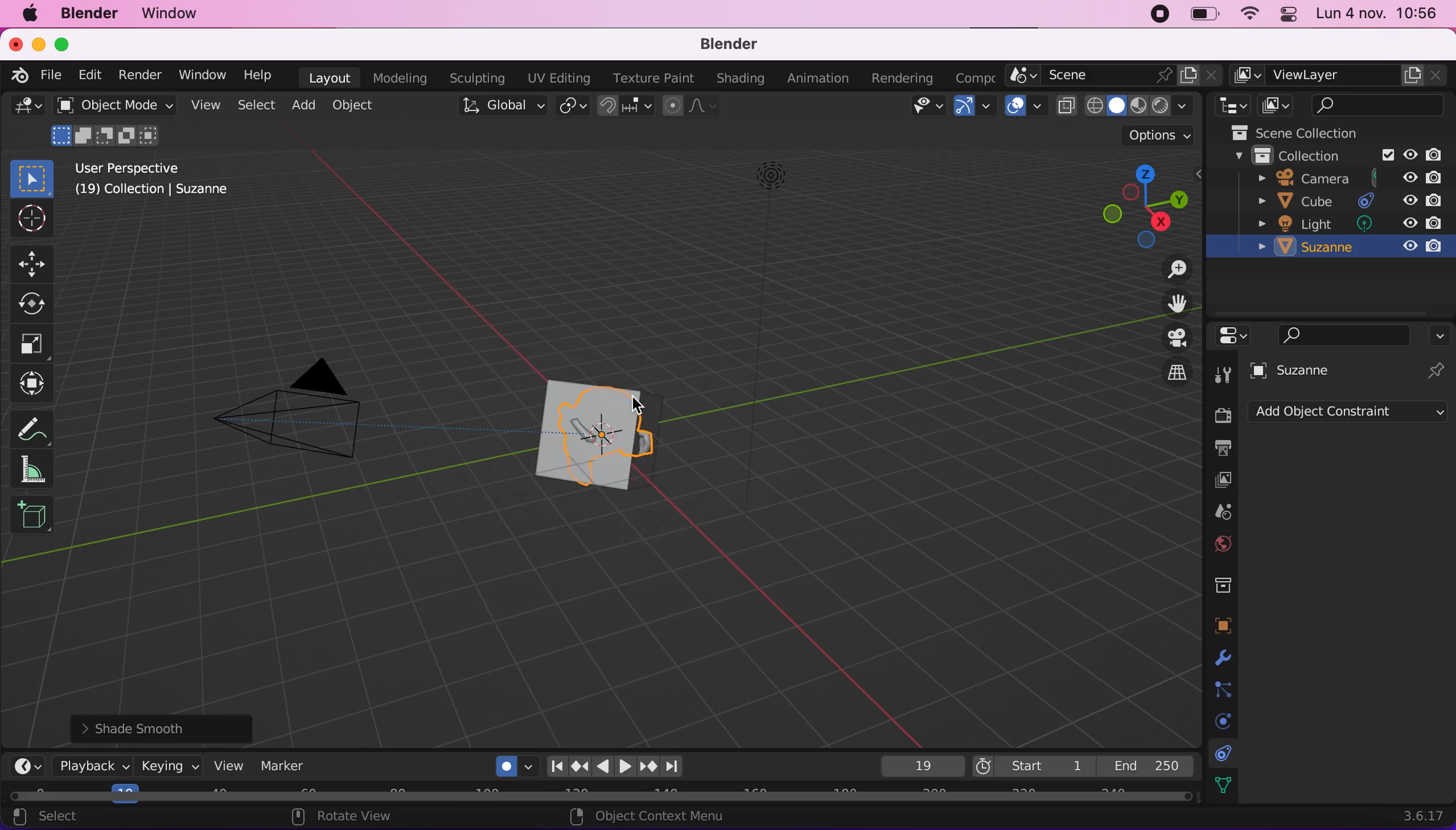  What do you see at coordinates (27, 108) in the screenshot?
I see `editor type` at bounding box center [27, 108].